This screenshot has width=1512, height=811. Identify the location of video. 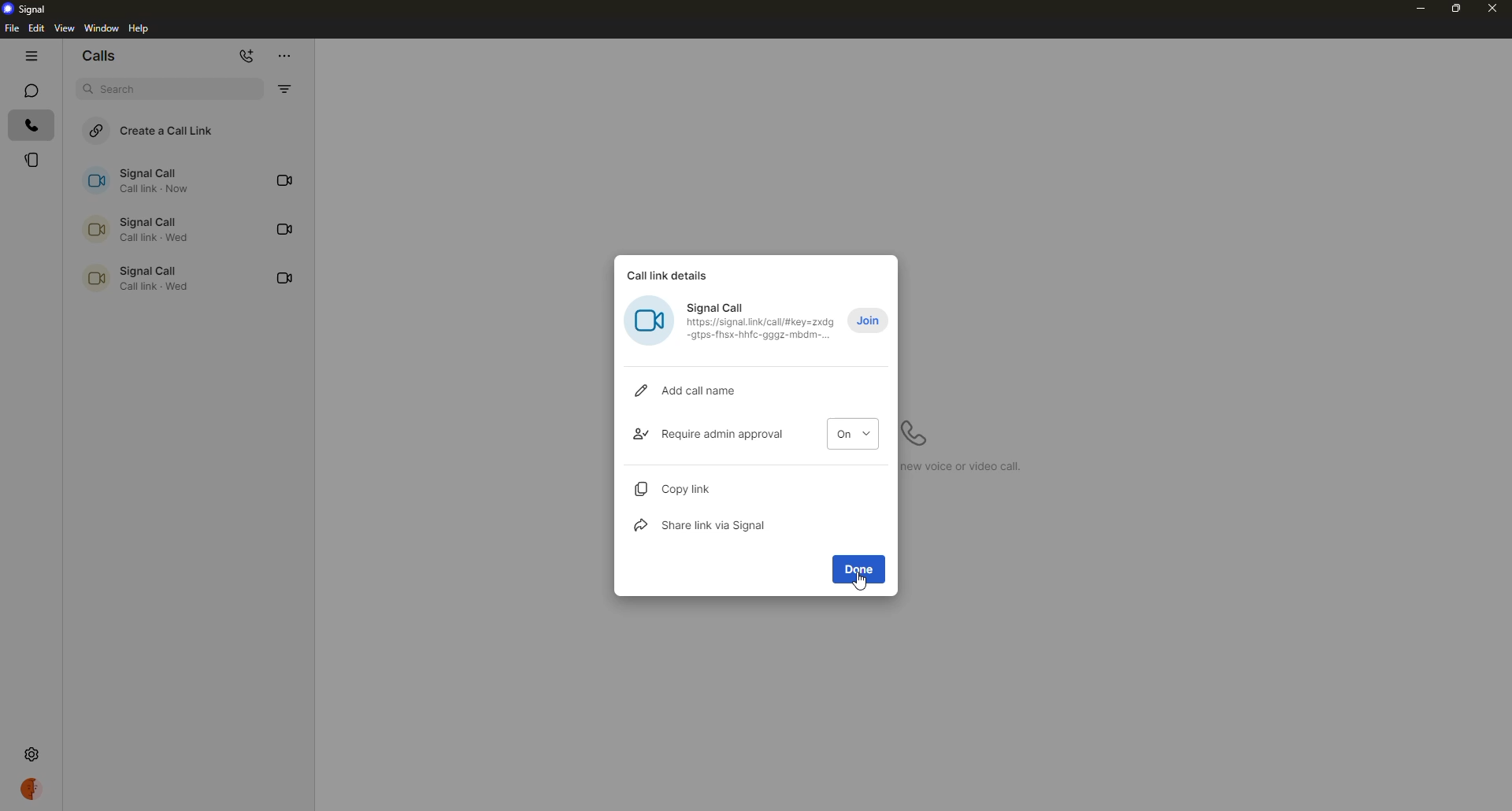
(285, 229).